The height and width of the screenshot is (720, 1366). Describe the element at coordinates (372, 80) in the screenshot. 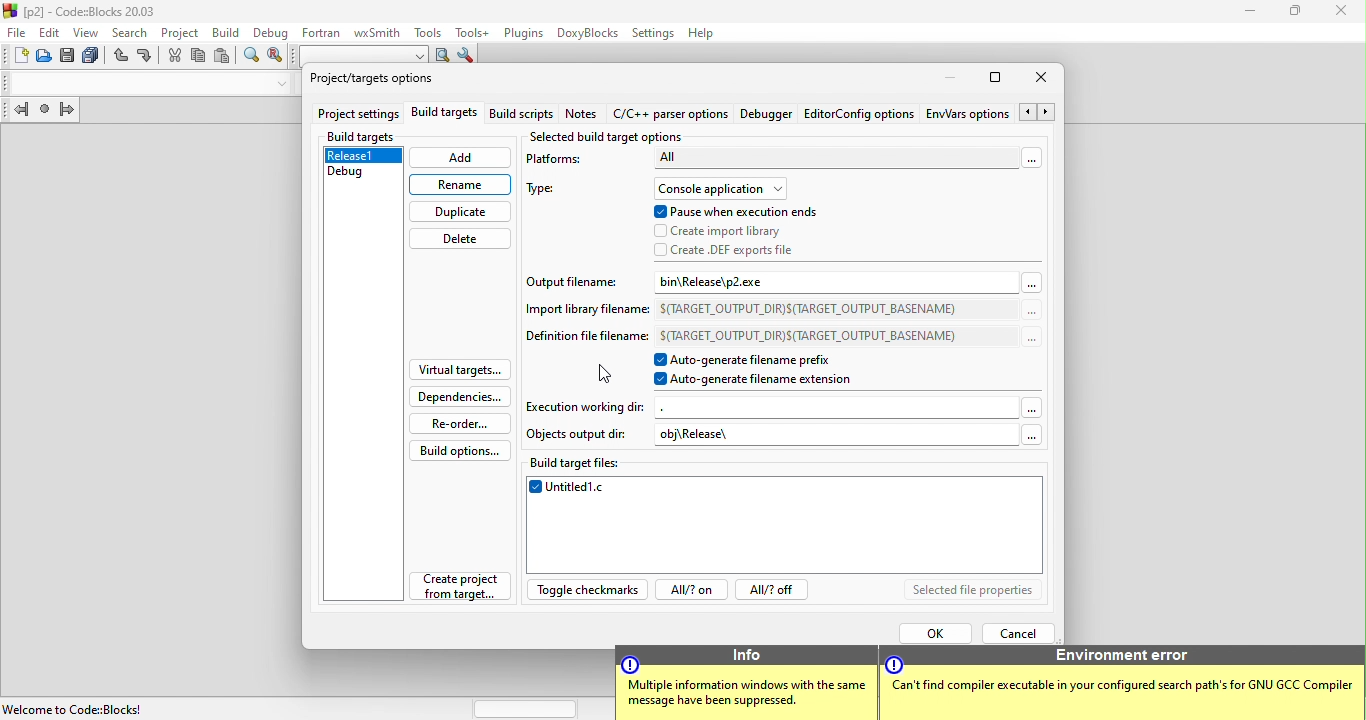

I see `project\target option` at that location.